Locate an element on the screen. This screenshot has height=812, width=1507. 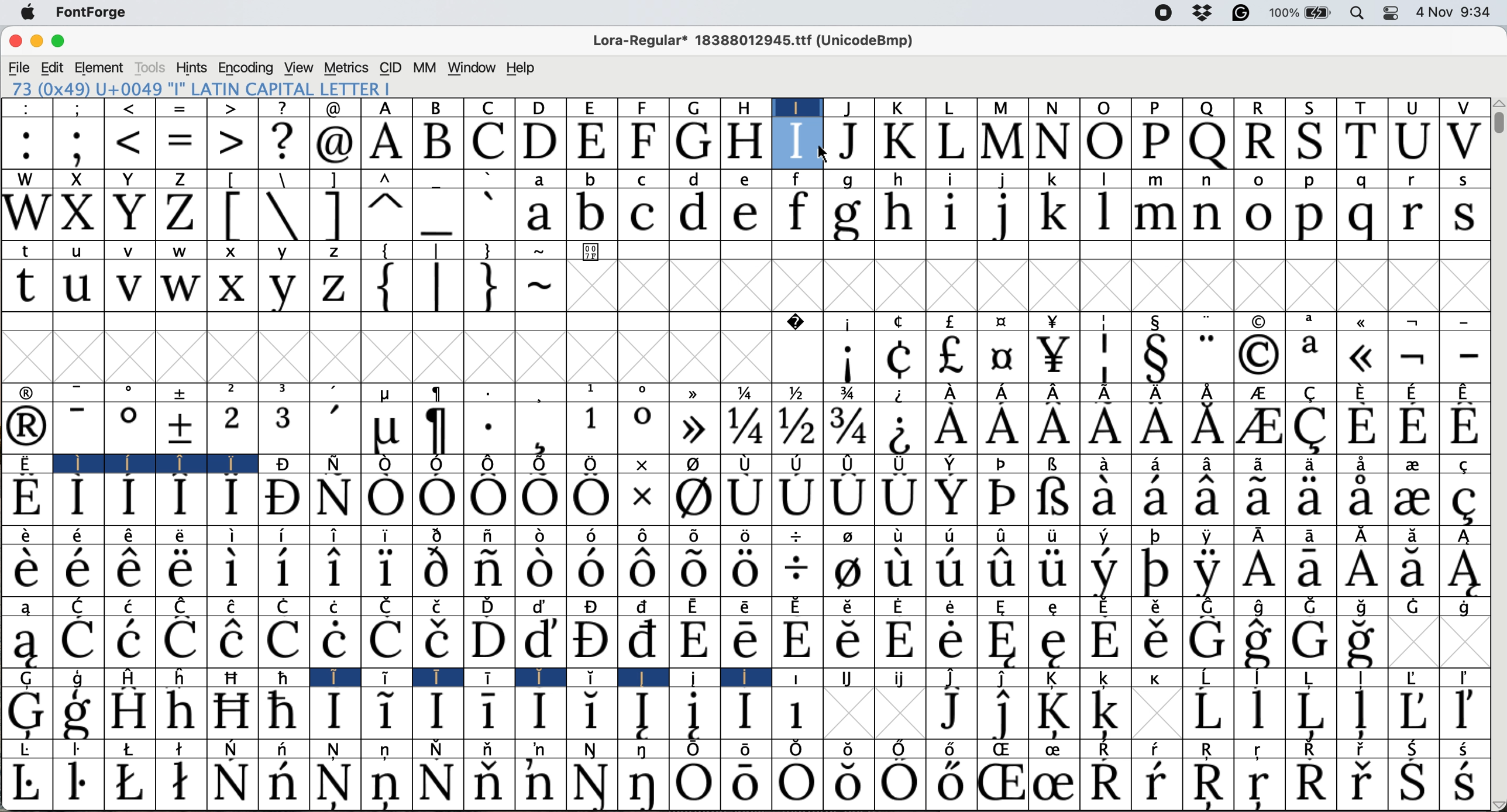
: is located at coordinates (26, 143).